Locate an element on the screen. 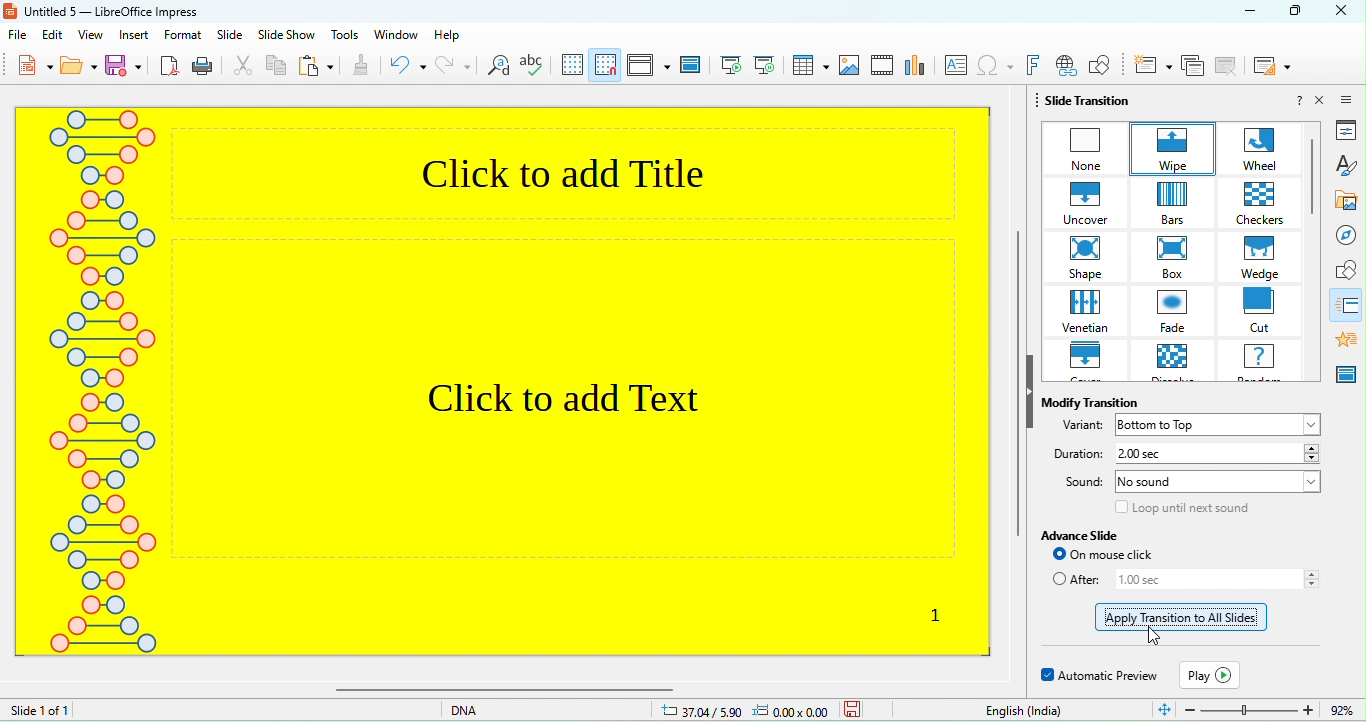  slide transition is located at coordinates (1094, 102).